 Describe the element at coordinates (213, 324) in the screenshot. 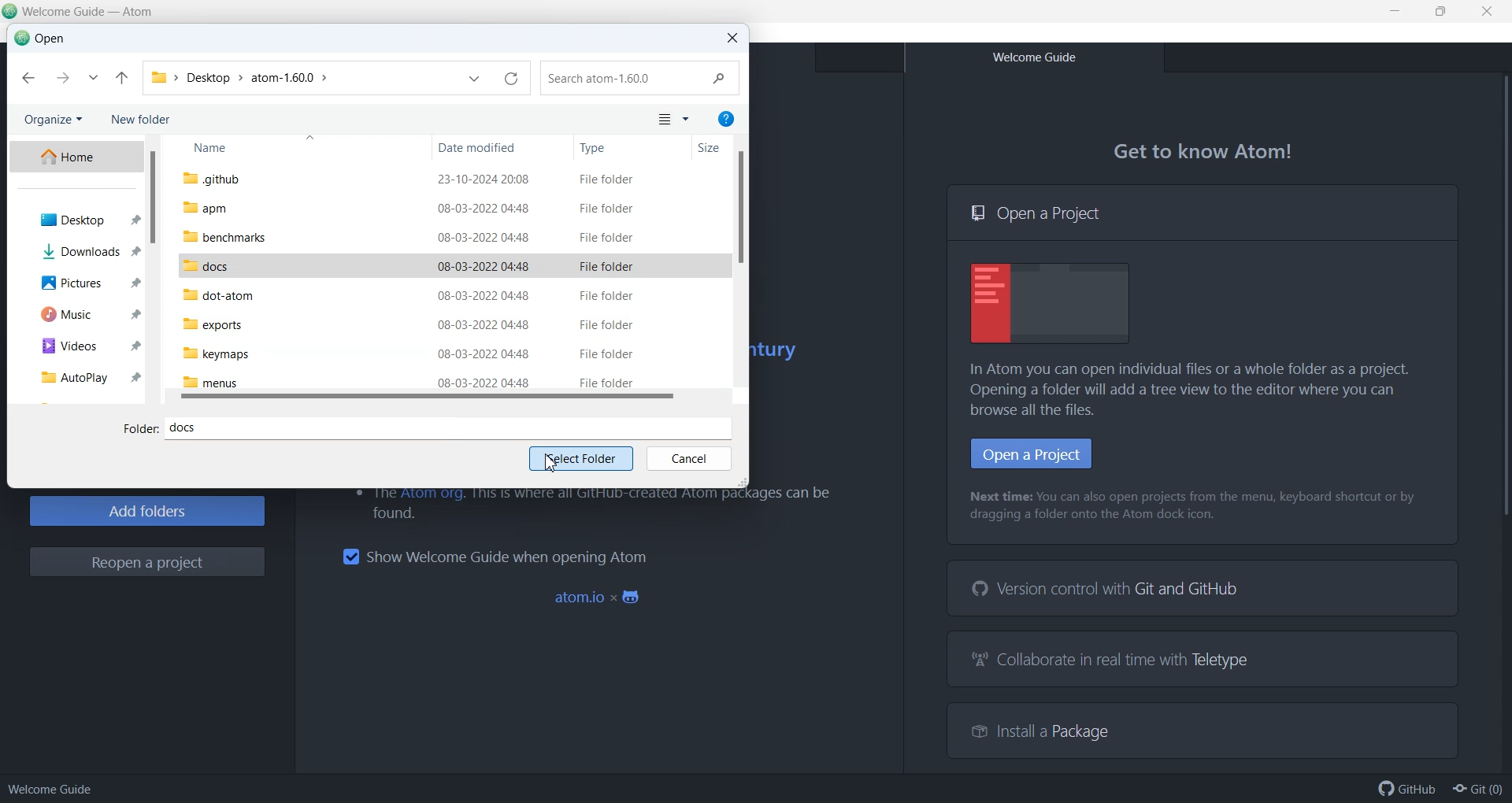

I see `exports` at that location.